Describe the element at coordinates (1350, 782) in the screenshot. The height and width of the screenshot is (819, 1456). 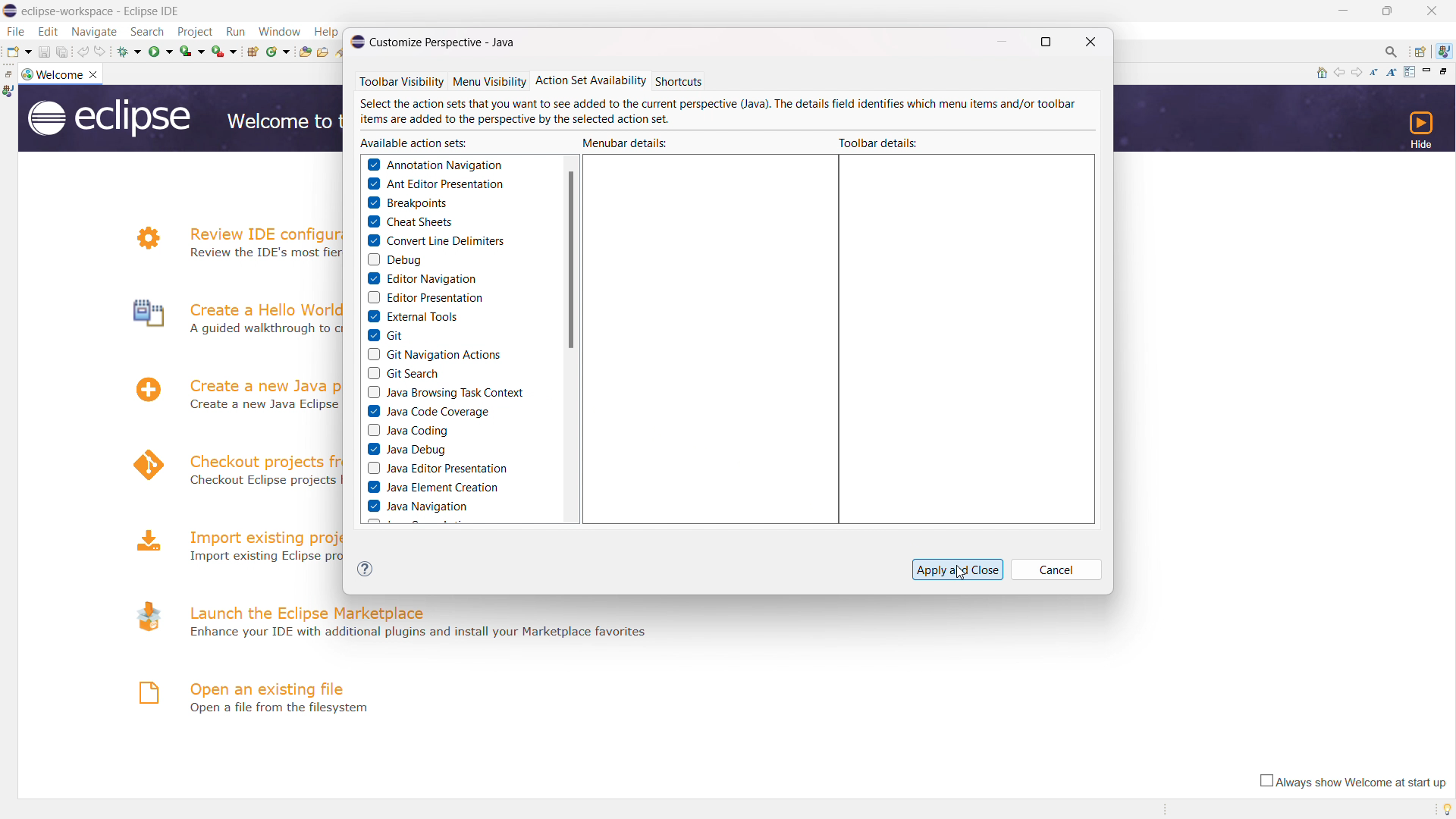
I see `always show welcome at start up` at that location.